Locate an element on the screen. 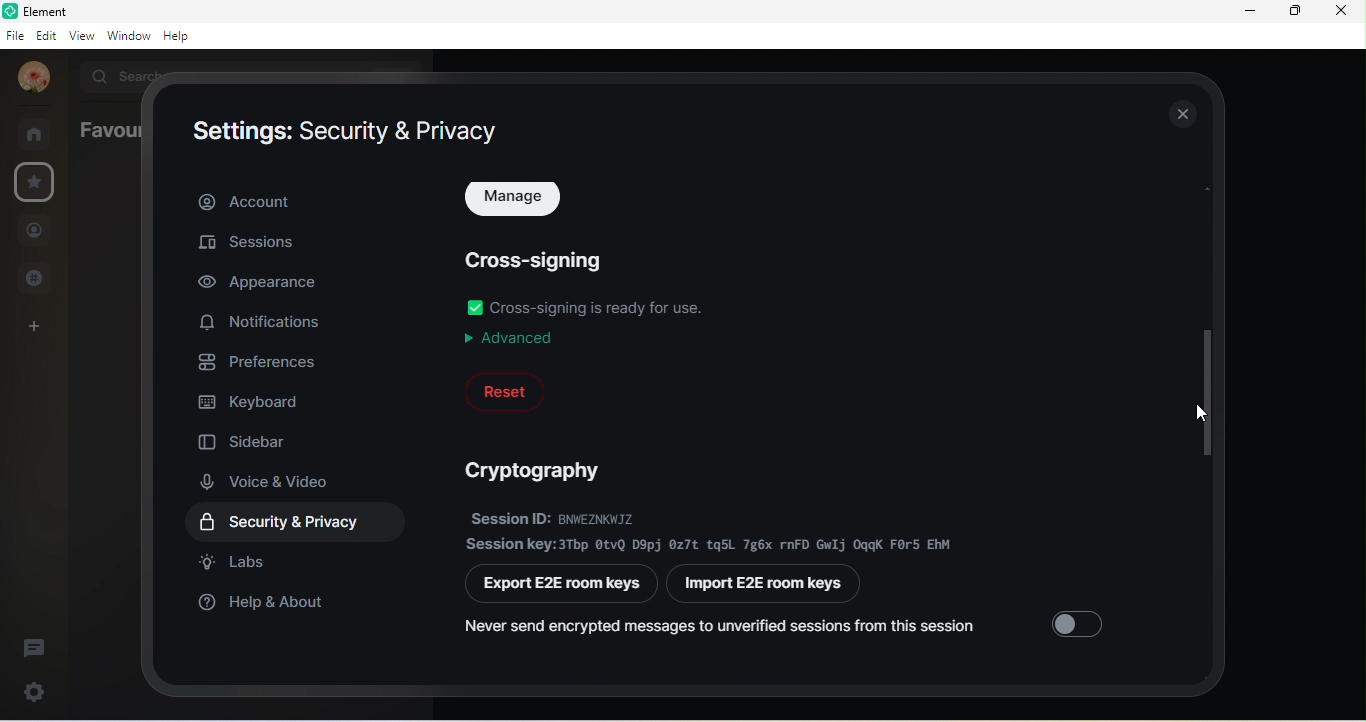 This screenshot has width=1366, height=722. sidebar is located at coordinates (248, 438).